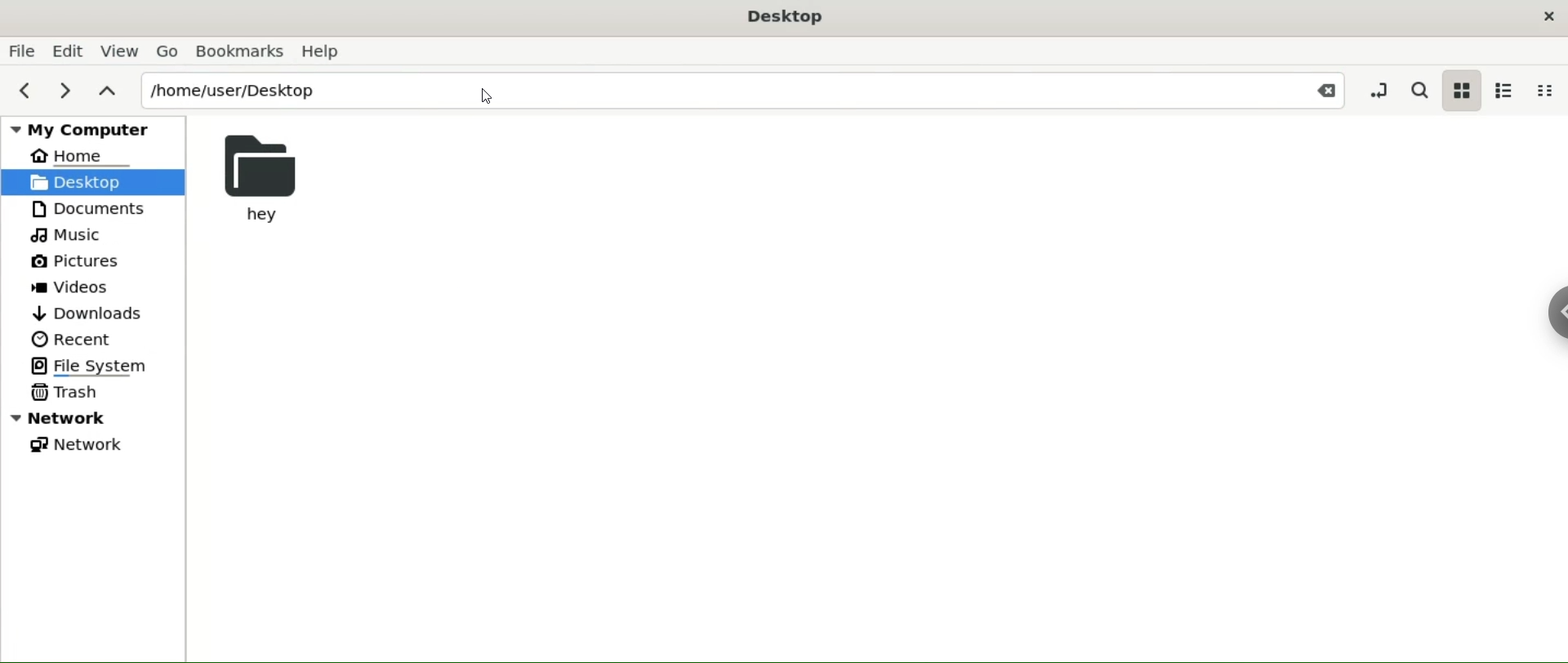 The height and width of the screenshot is (663, 1568). Describe the element at coordinates (61, 93) in the screenshot. I see `next` at that location.